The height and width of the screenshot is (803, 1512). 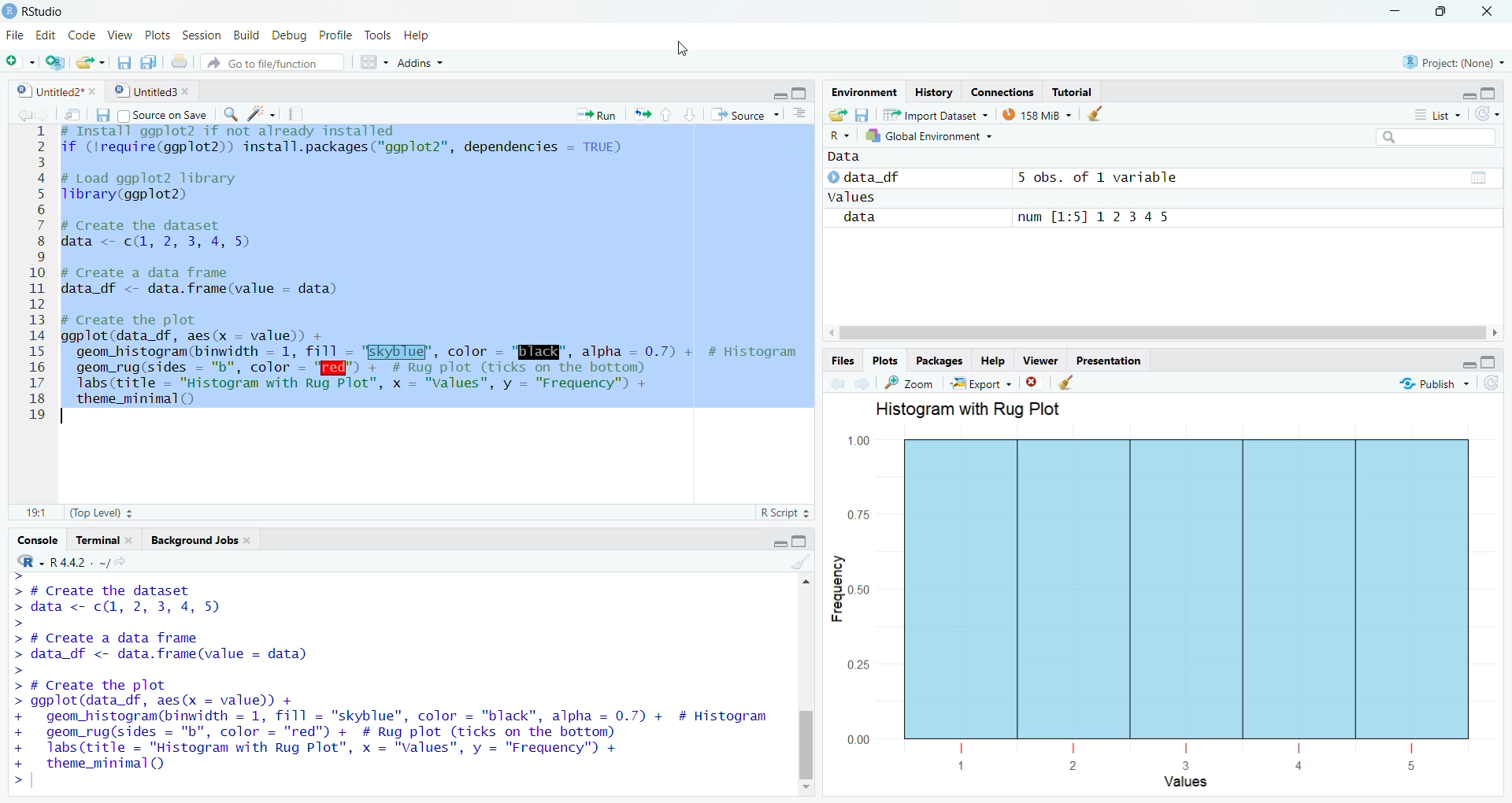 What do you see at coordinates (418, 33) in the screenshot?
I see `Help` at bounding box center [418, 33].